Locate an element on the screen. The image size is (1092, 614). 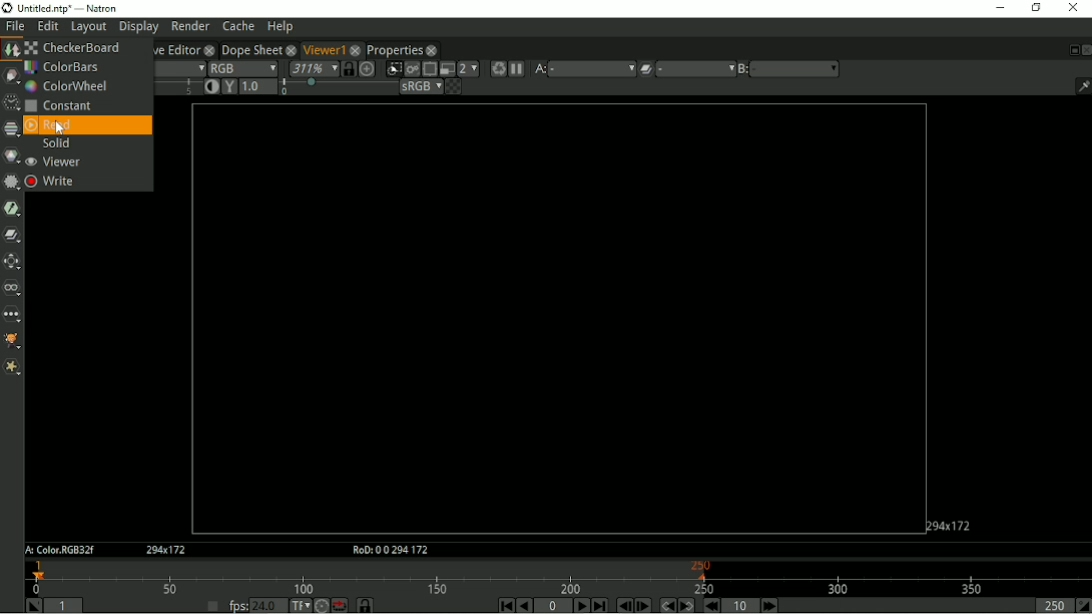
Timeline is located at coordinates (559, 577).